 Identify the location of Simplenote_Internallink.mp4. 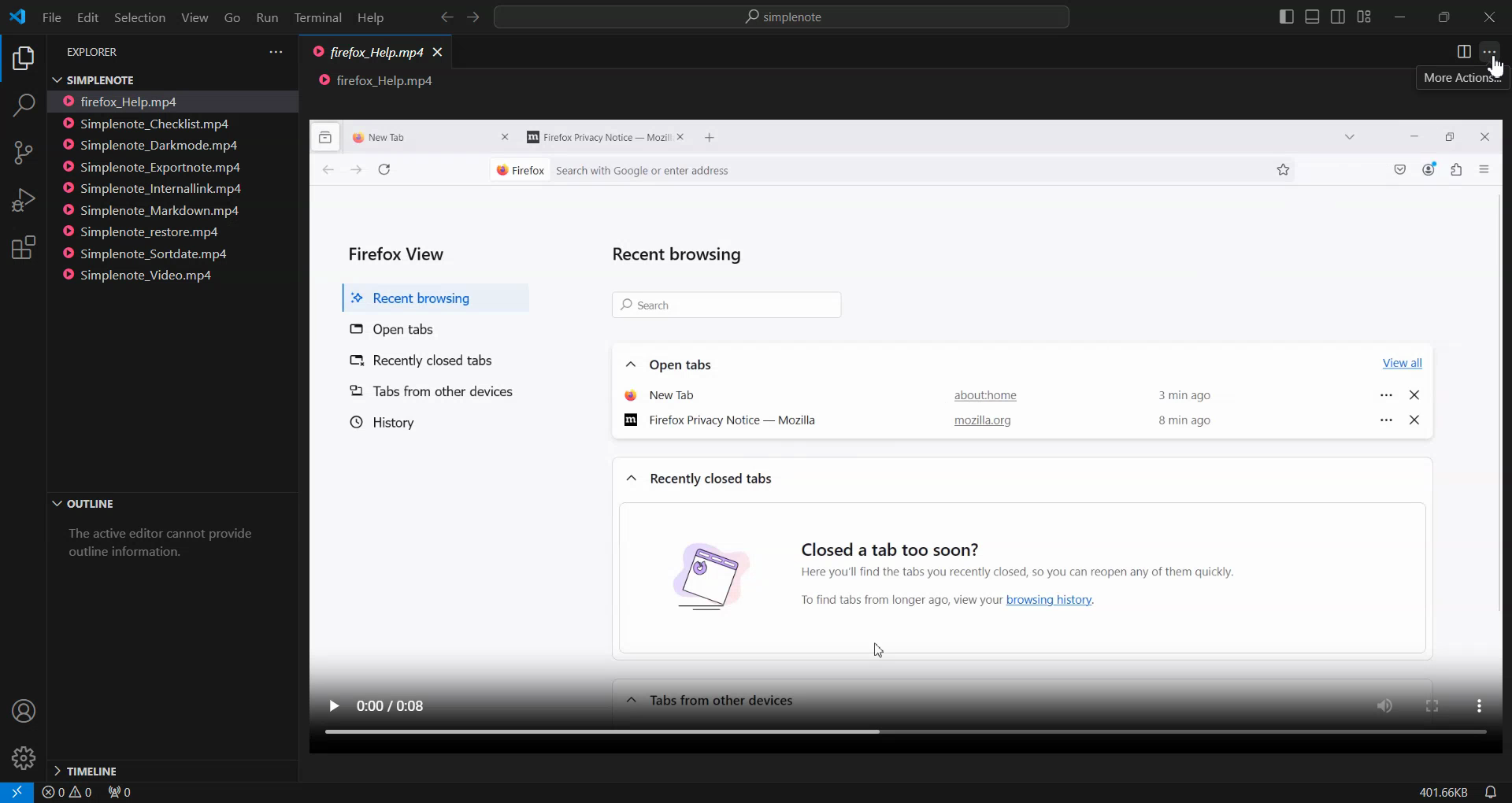
(154, 189).